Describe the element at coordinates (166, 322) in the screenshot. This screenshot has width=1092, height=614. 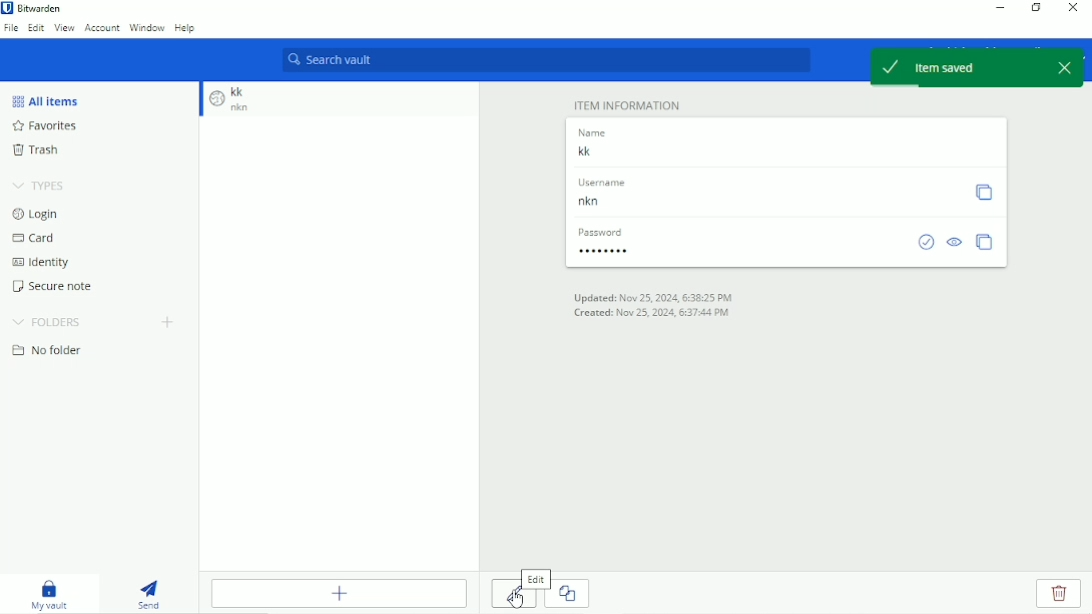
I see `Add folder` at that location.